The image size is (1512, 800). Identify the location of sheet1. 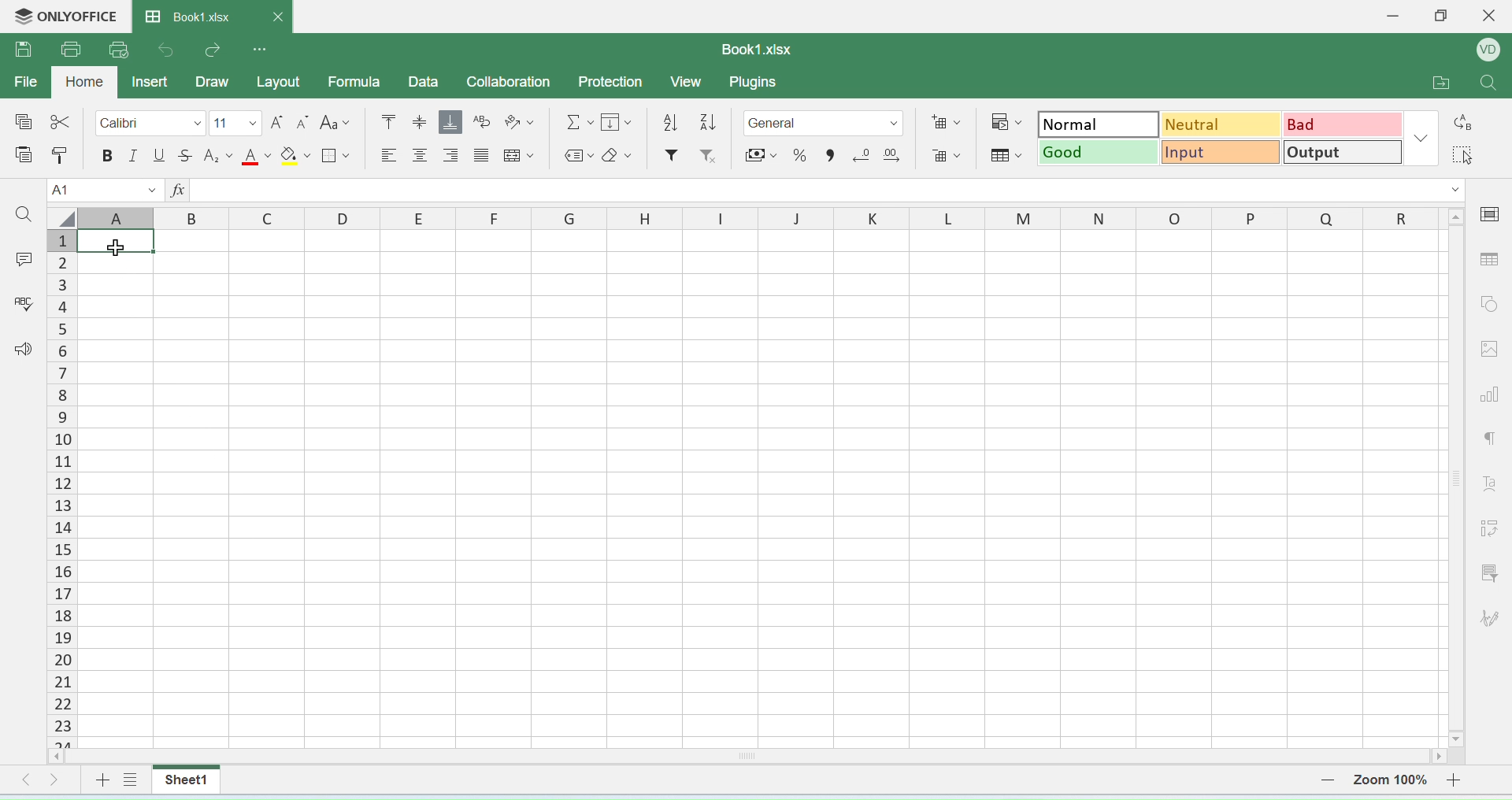
(184, 780).